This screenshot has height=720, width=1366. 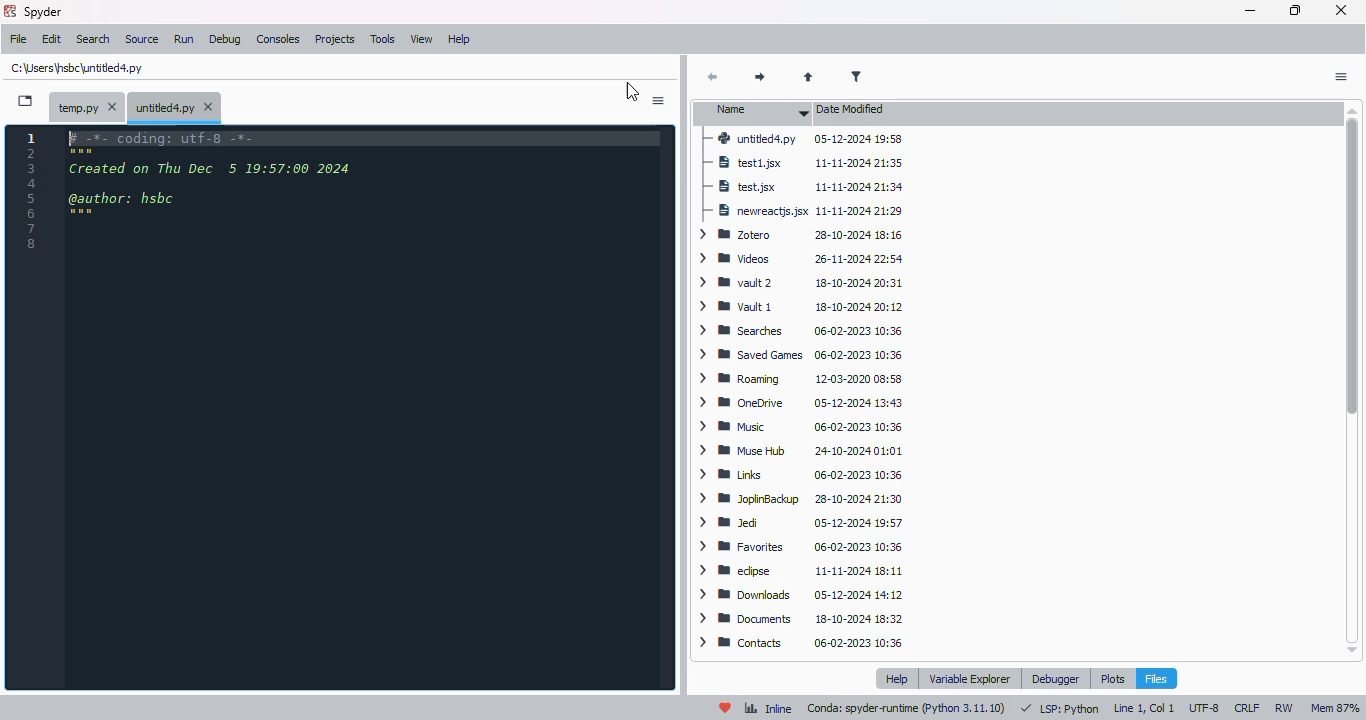 I want to click on RW, so click(x=1287, y=708).